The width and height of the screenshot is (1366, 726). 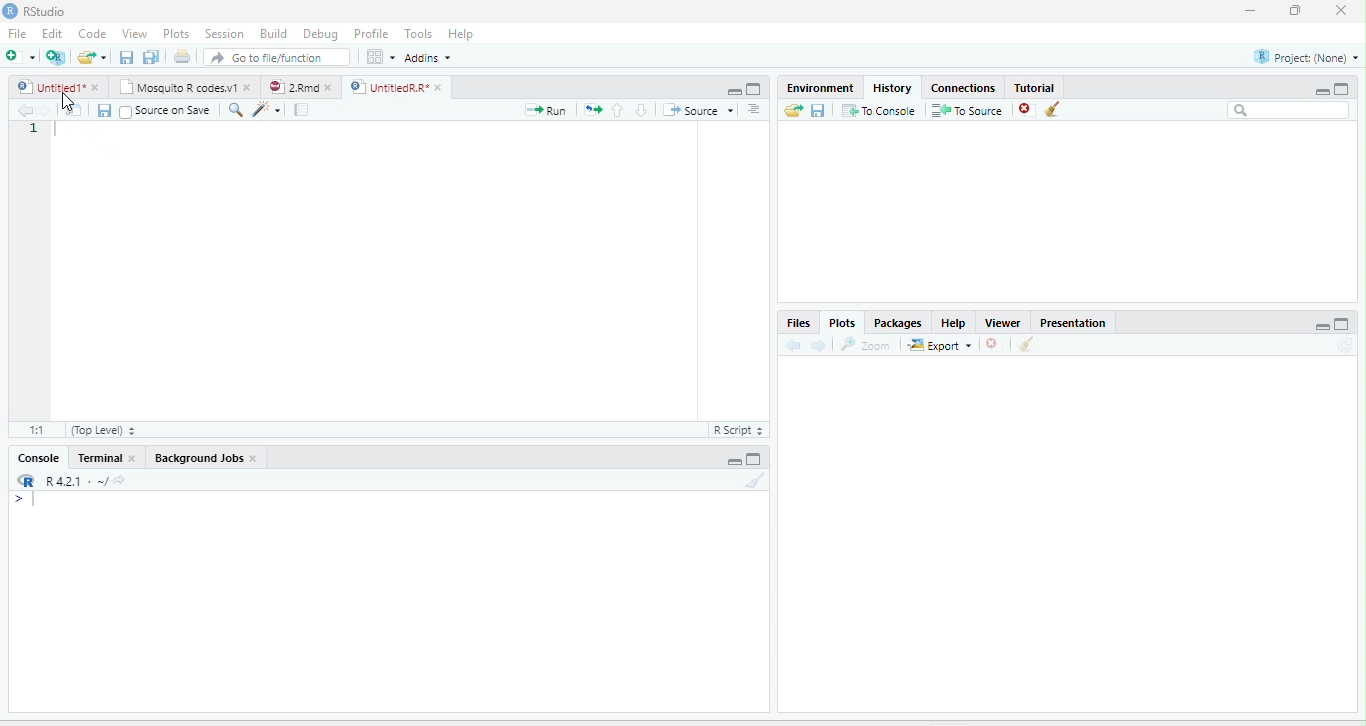 What do you see at coordinates (320, 34) in the screenshot?
I see `Debug` at bounding box center [320, 34].